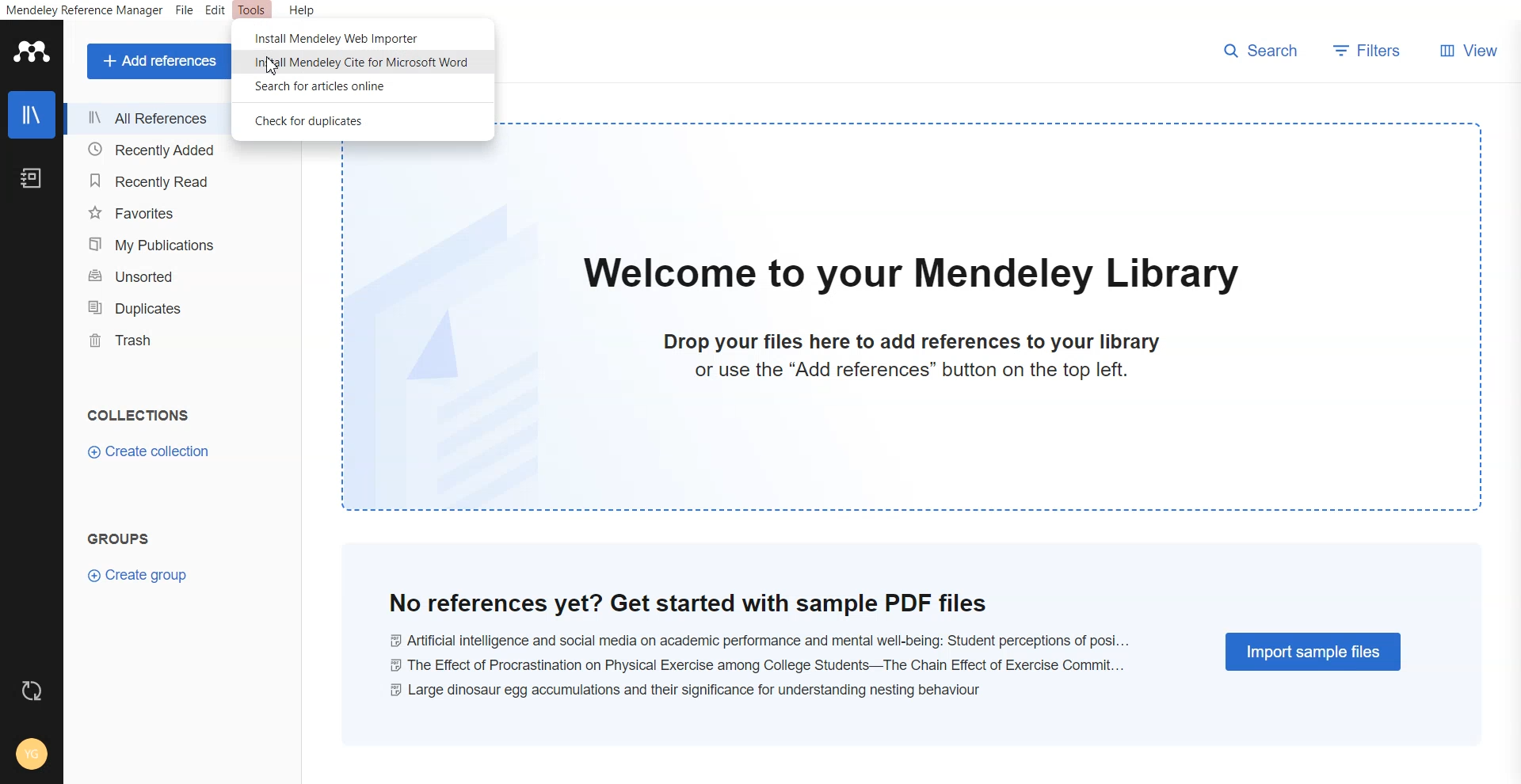 The image size is (1521, 784). Describe the element at coordinates (85, 10) in the screenshot. I see `Mendeley Reference Manager` at that location.